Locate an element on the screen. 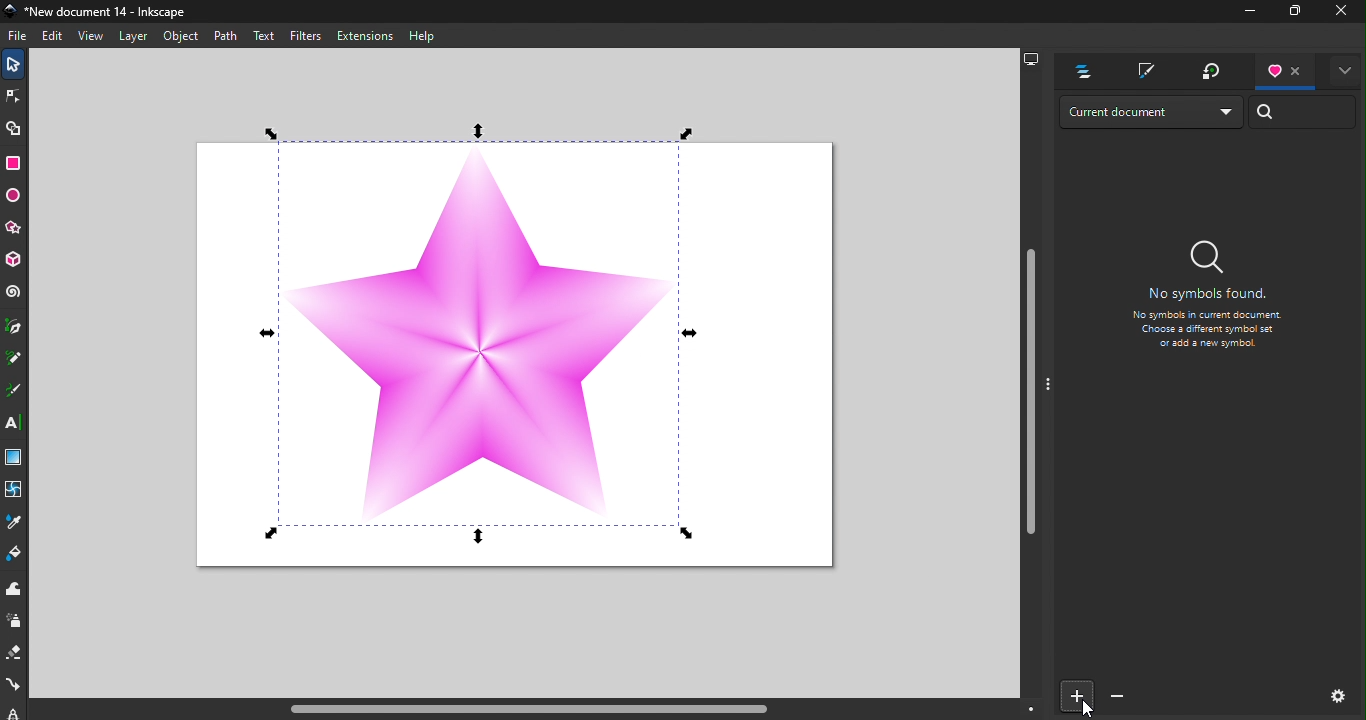 The width and height of the screenshot is (1366, 720). Pen tool is located at coordinates (14, 323).